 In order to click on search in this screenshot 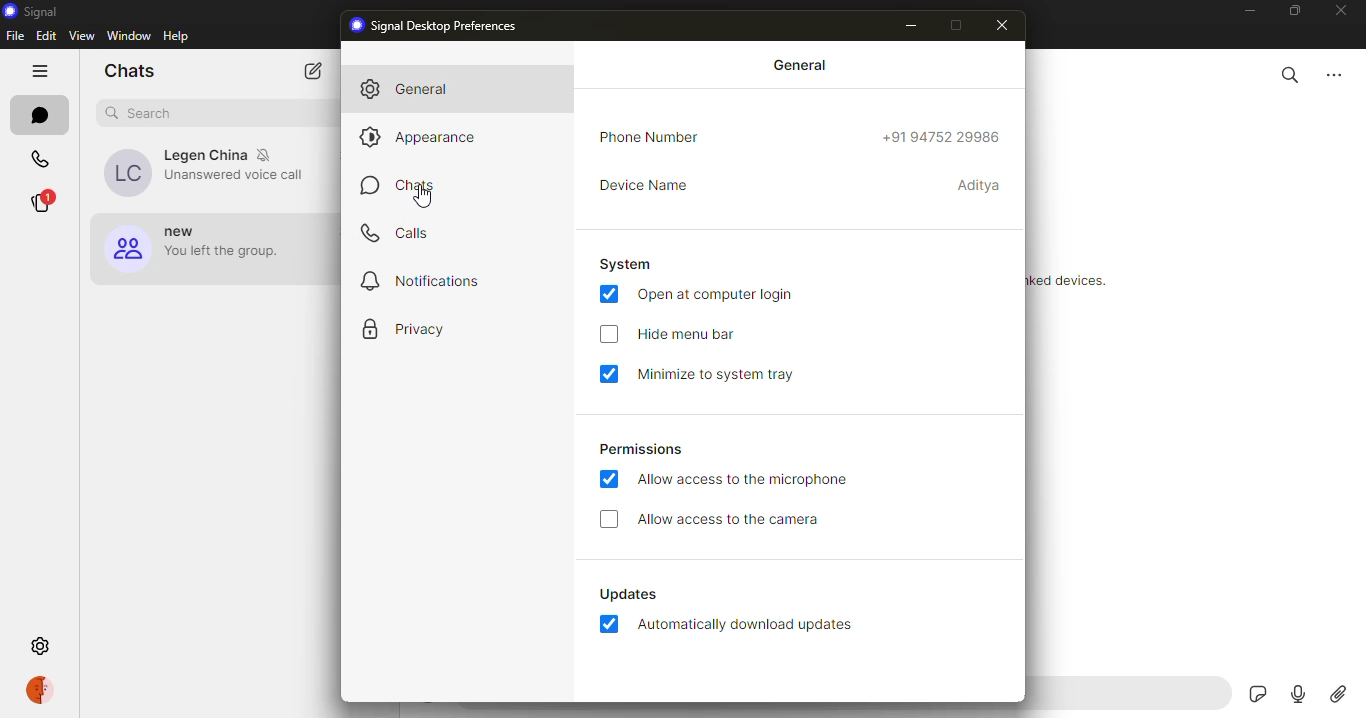, I will do `click(143, 111)`.